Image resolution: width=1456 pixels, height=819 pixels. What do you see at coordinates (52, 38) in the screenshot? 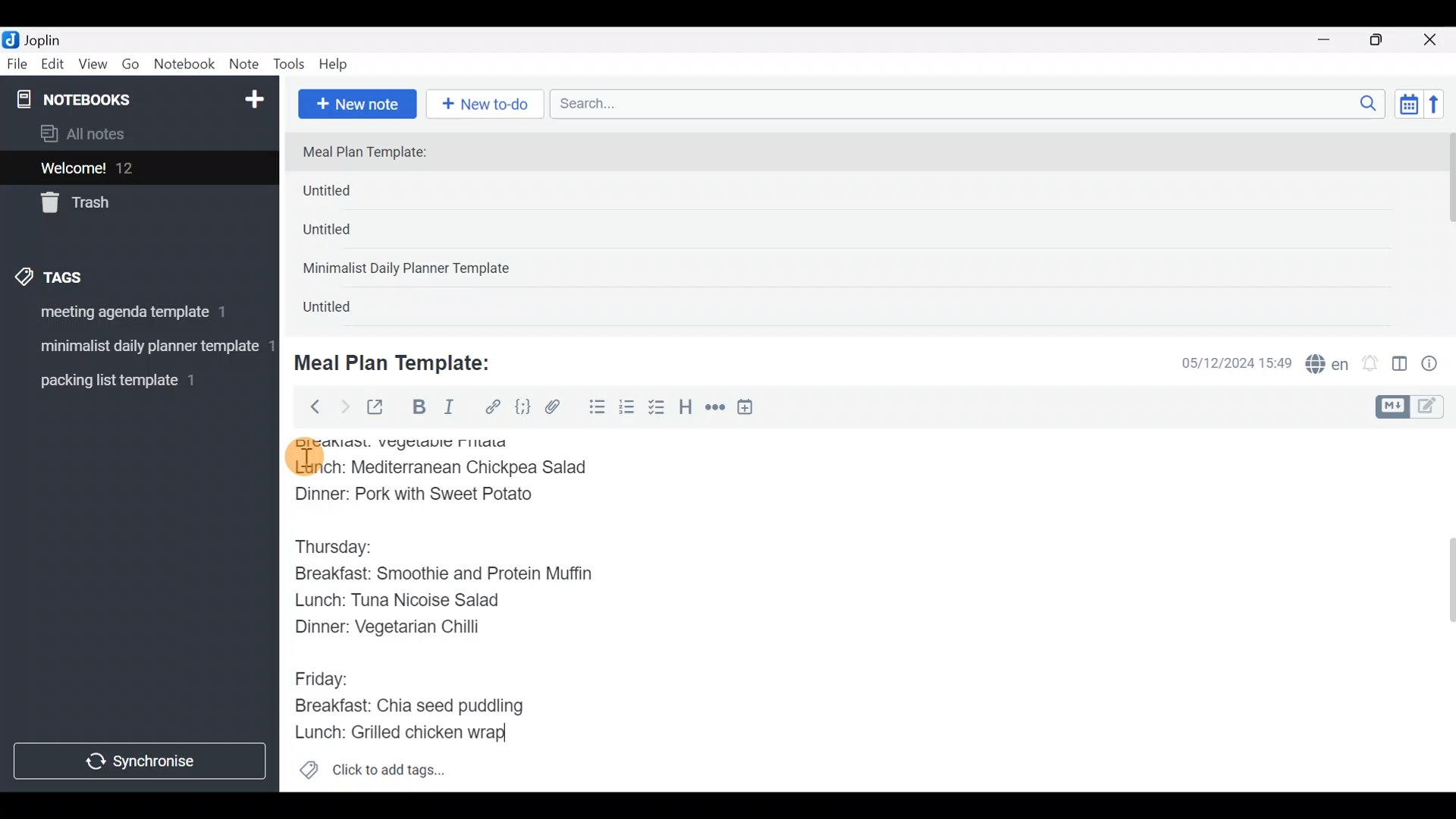
I see `Joplin` at bounding box center [52, 38].